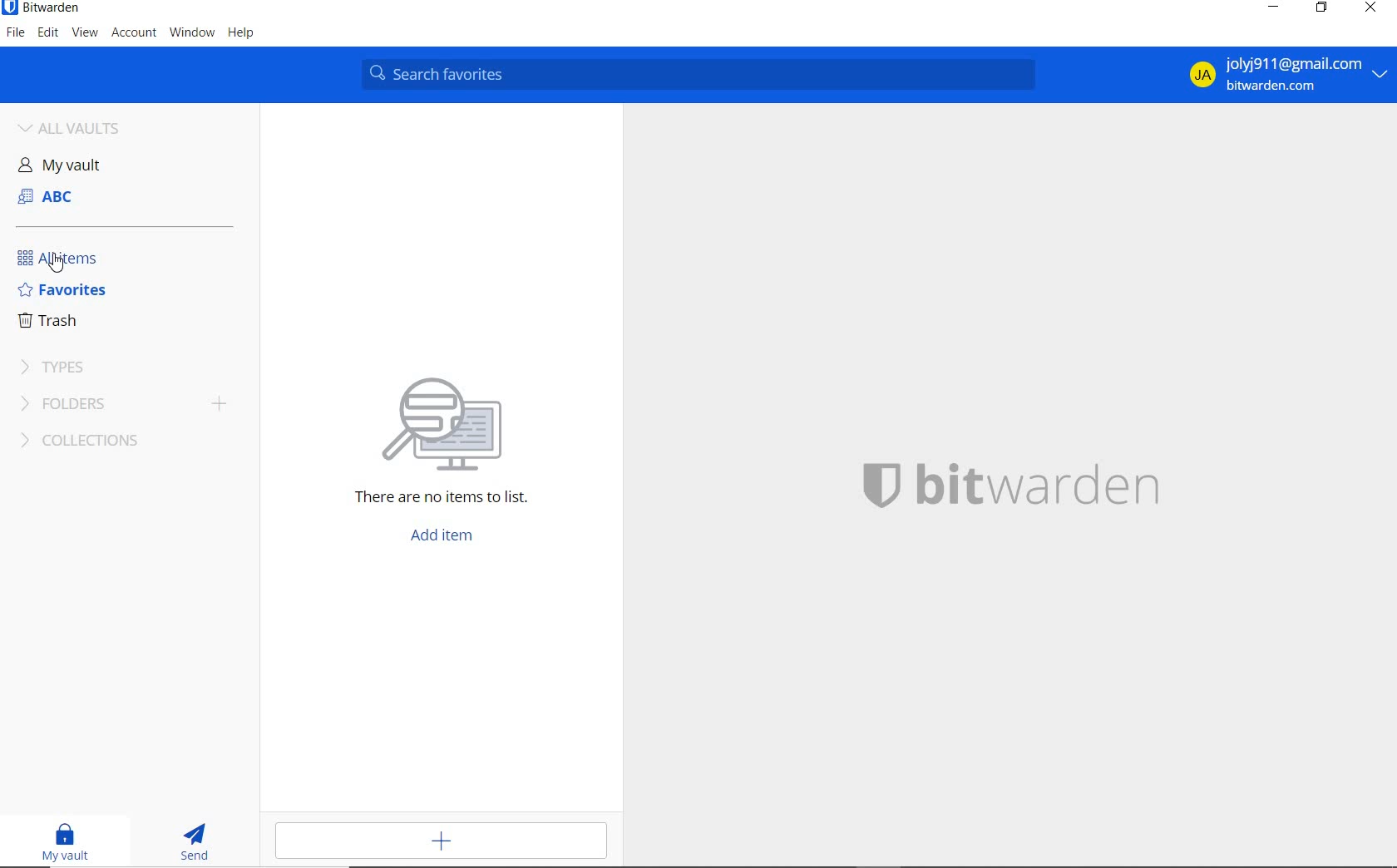 Image resolution: width=1397 pixels, height=868 pixels. Describe the element at coordinates (42, 8) in the screenshot. I see `SYSTEM NAME` at that location.